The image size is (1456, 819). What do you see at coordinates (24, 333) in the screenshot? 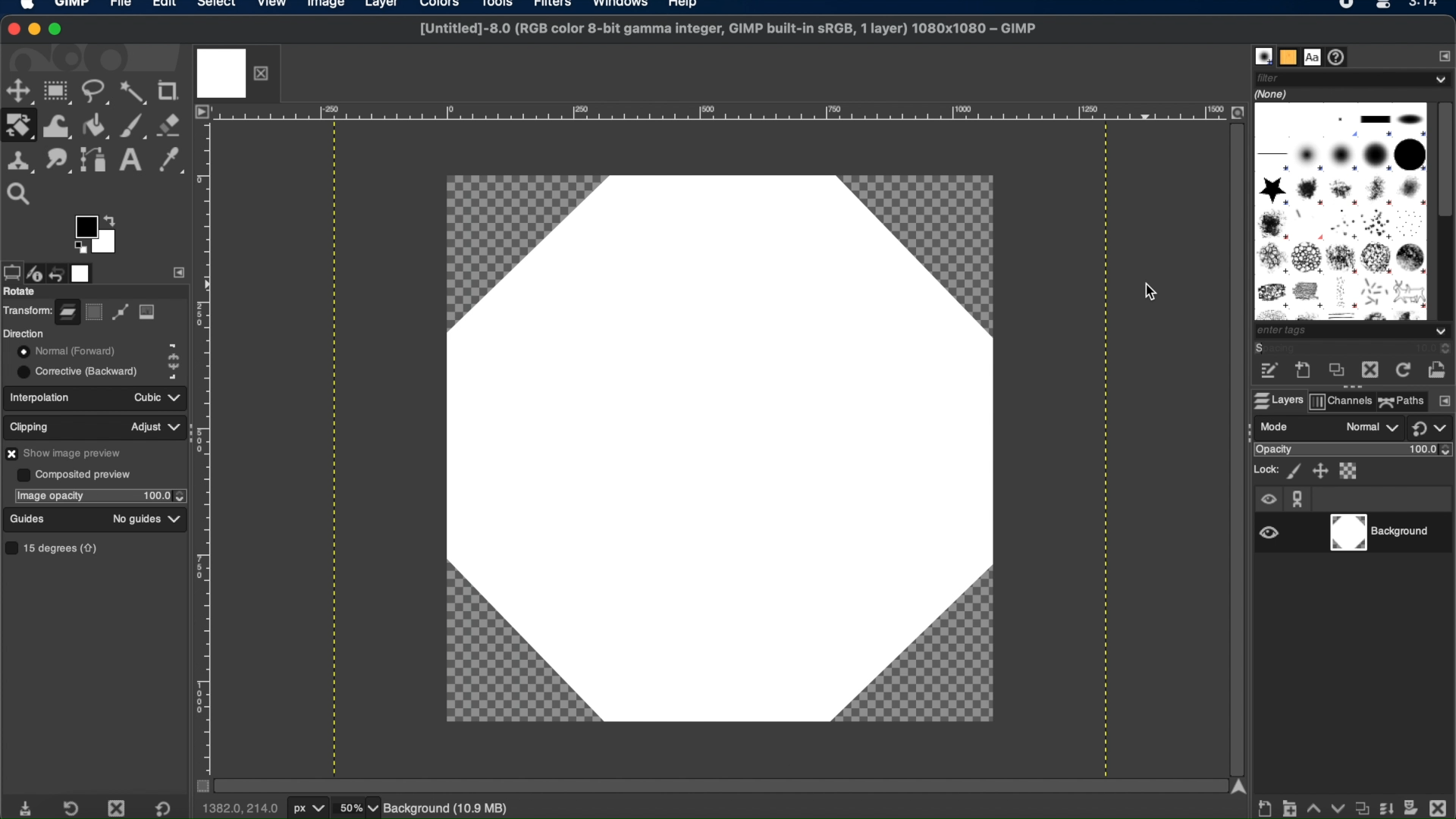
I see `direction` at bounding box center [24, 333].